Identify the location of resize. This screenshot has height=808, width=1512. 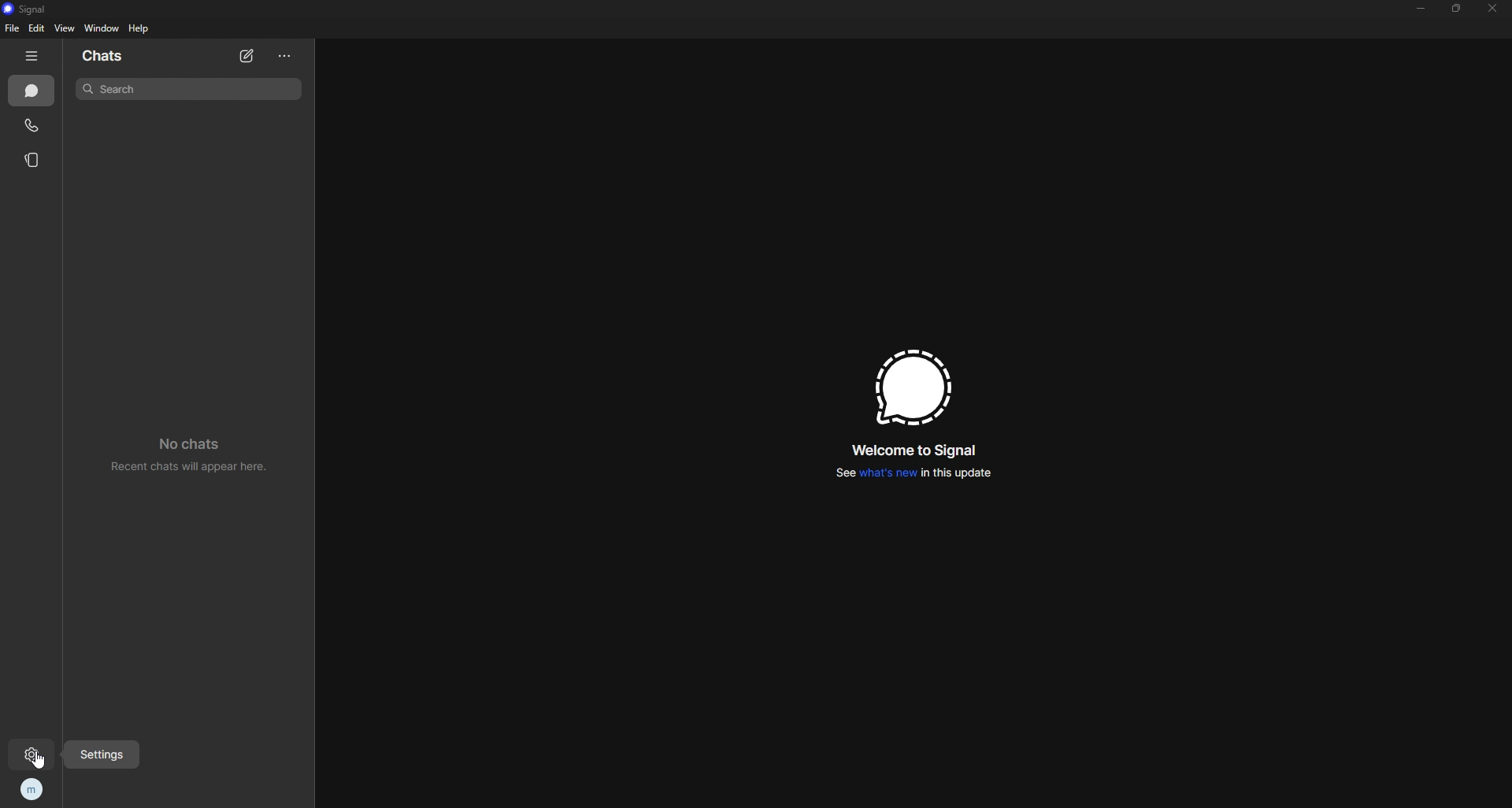
(1458, 8).